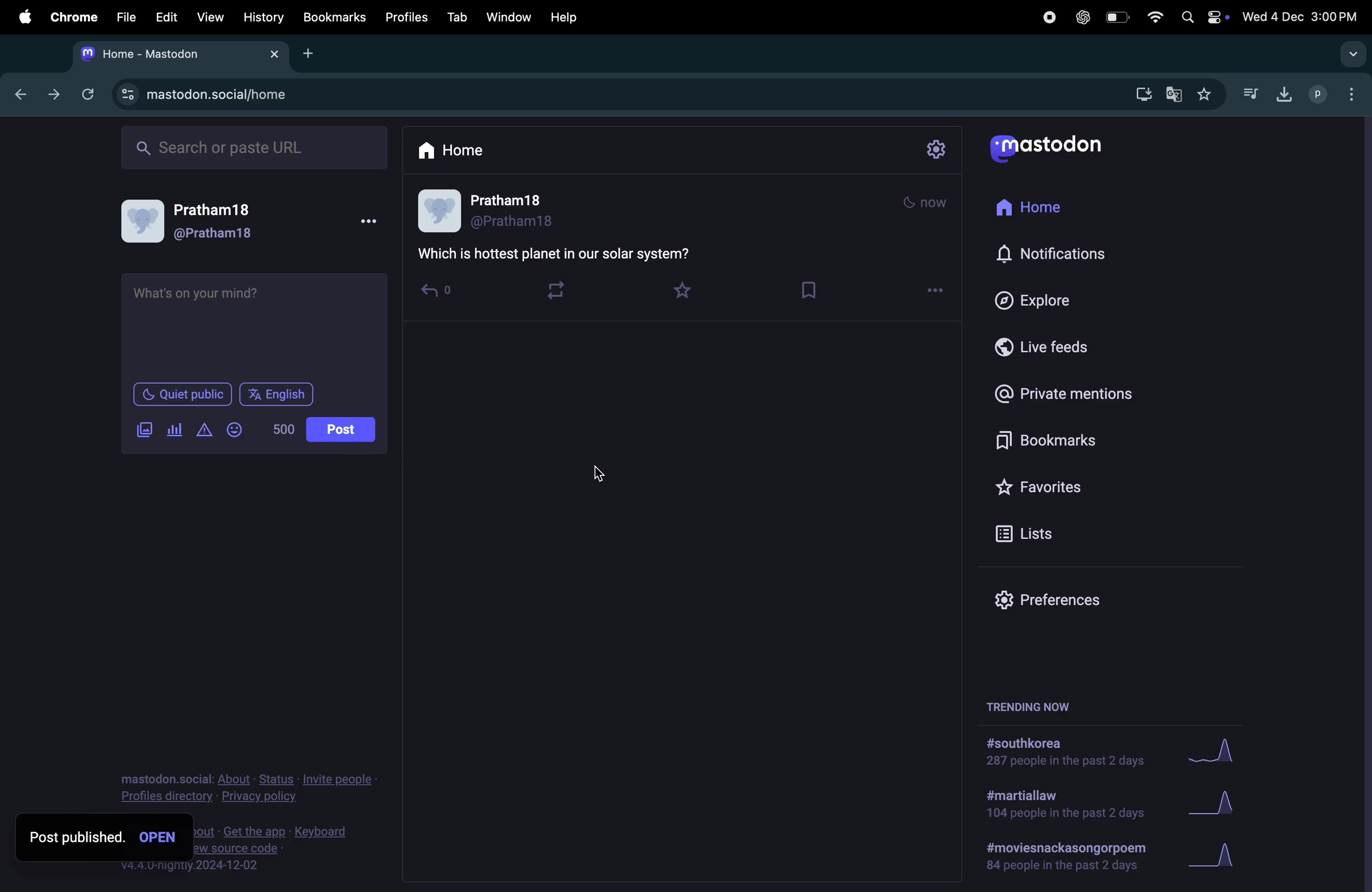  What do you see at coordinates (1023, 707) in the screenshot?
I see `trending now` at bounding box center [1023, 707].